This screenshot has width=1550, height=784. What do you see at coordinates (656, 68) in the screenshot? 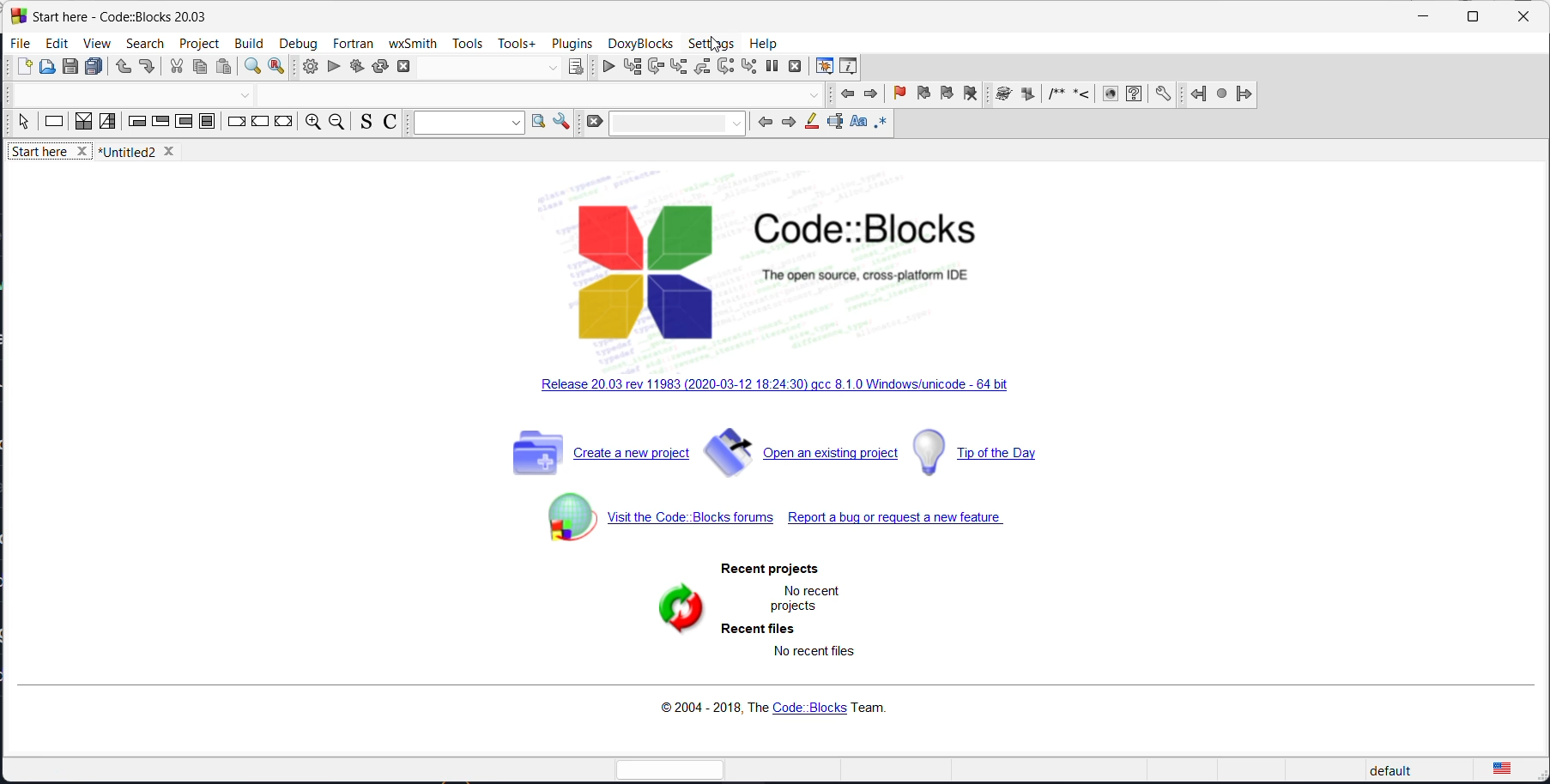
I see `next line` at bounding box center [656, 68].